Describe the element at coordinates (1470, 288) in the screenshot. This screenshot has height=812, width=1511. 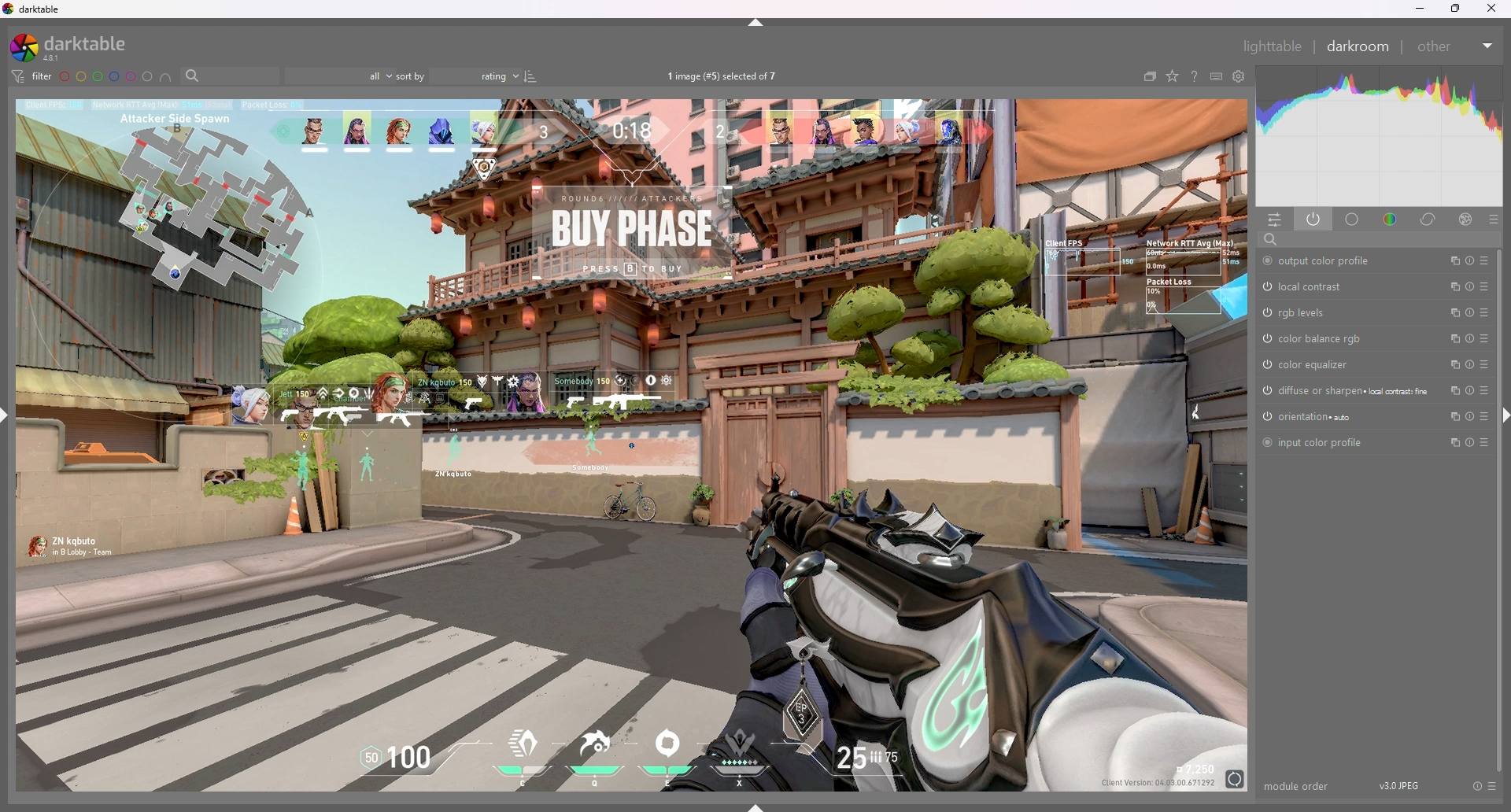
I see `reset` at that location.